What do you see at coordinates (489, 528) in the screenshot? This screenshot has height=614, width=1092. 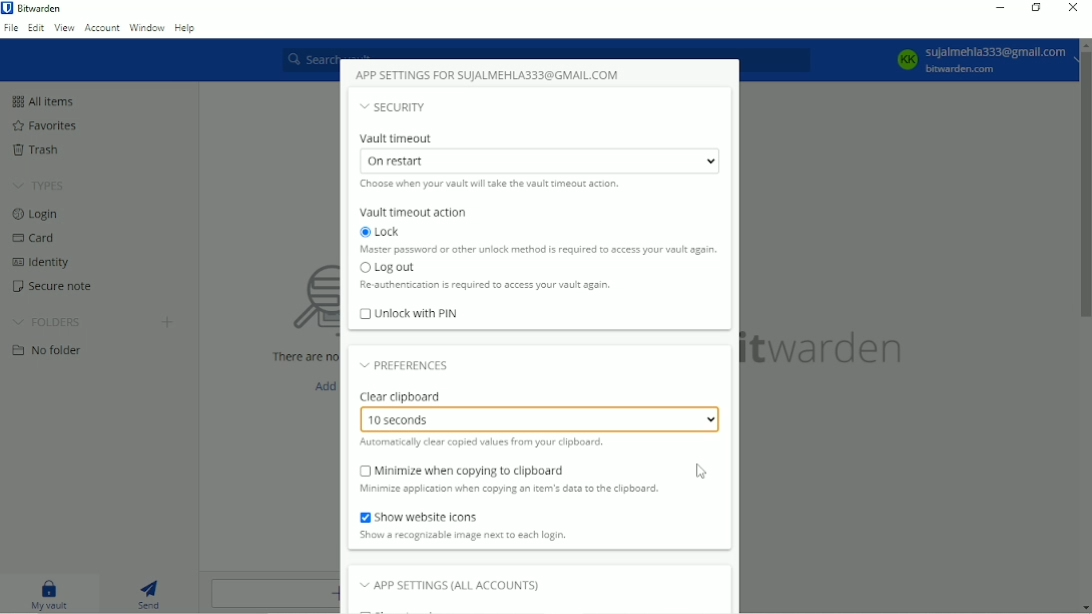 I see `8 Show website icons.
Show a recogrizable mage next to each login.` at bounding box center [489, 528].